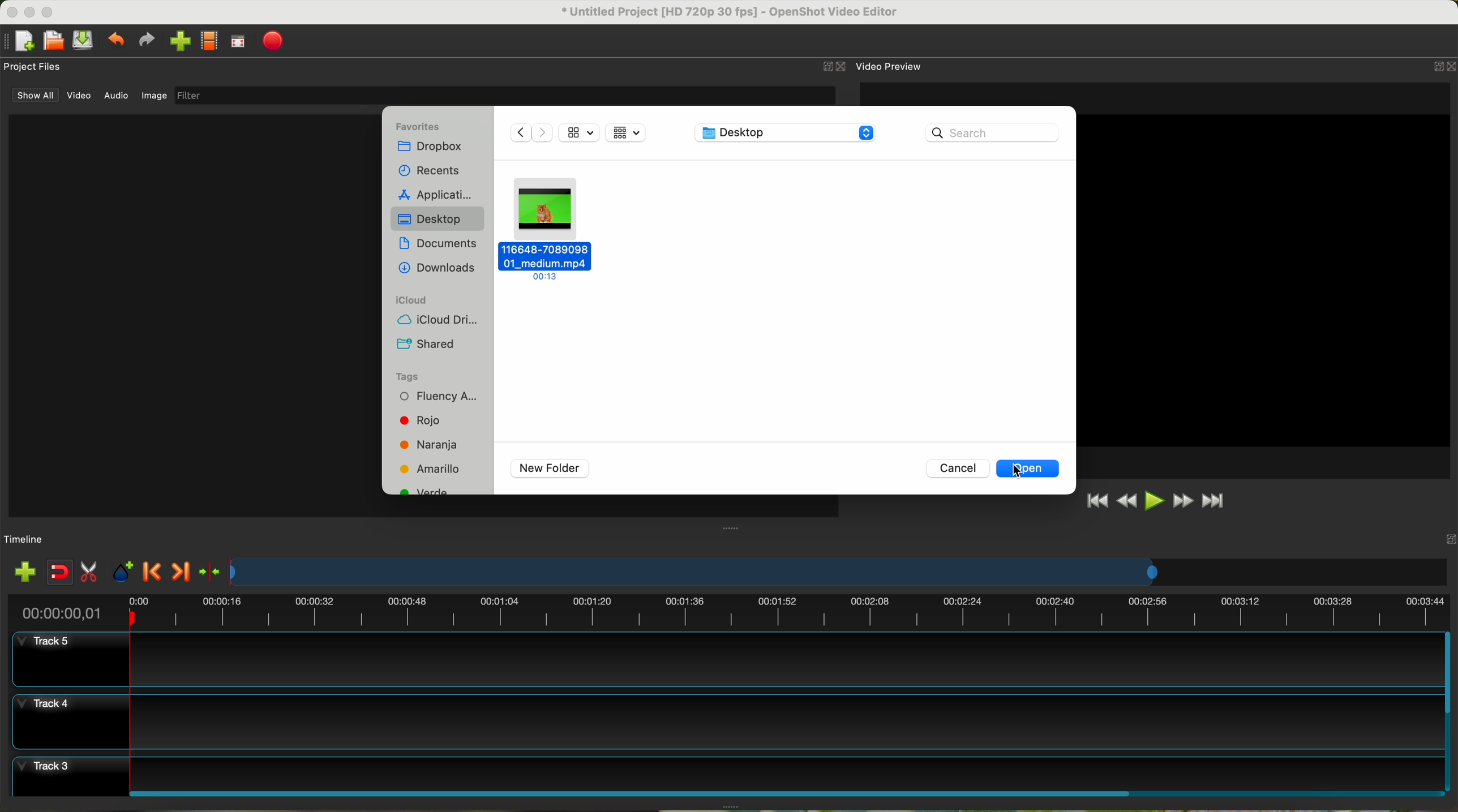 Image resolution: width=1458 pixels, height=812 pixels. I want to click on window files, so click(190, 315).